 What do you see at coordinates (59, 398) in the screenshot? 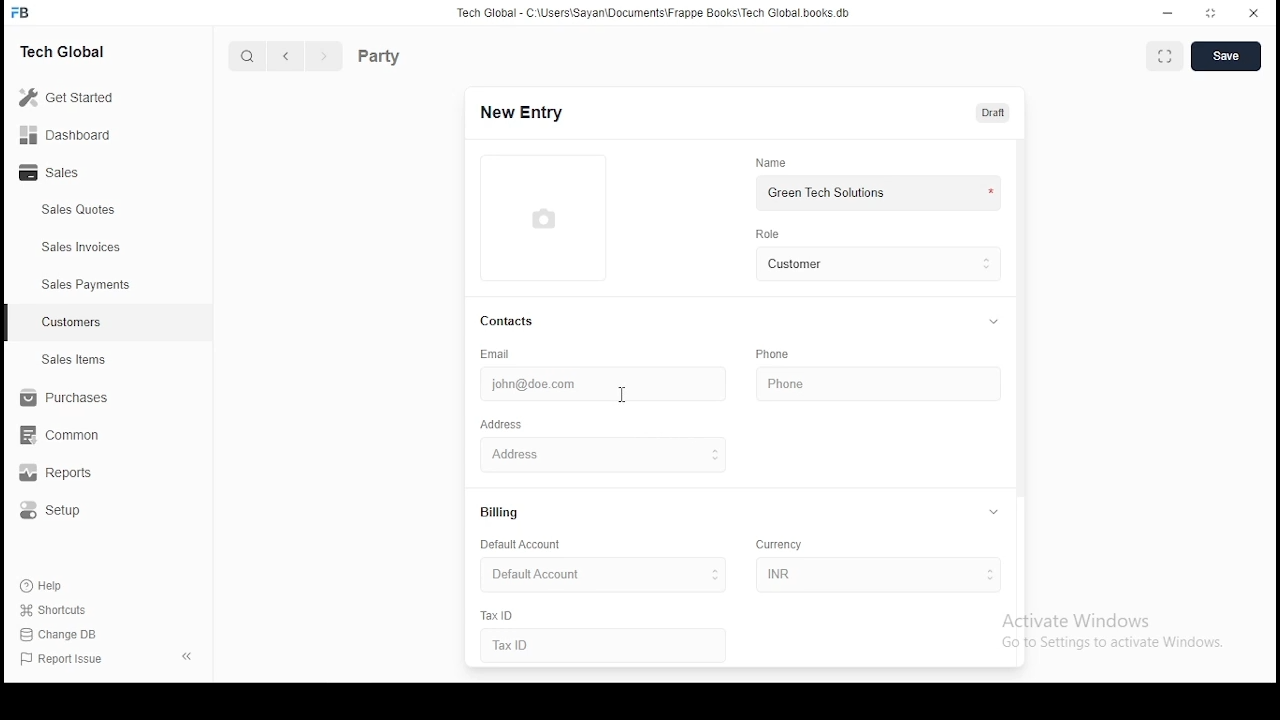
I see `purchase` at bounding box center [59, 398].